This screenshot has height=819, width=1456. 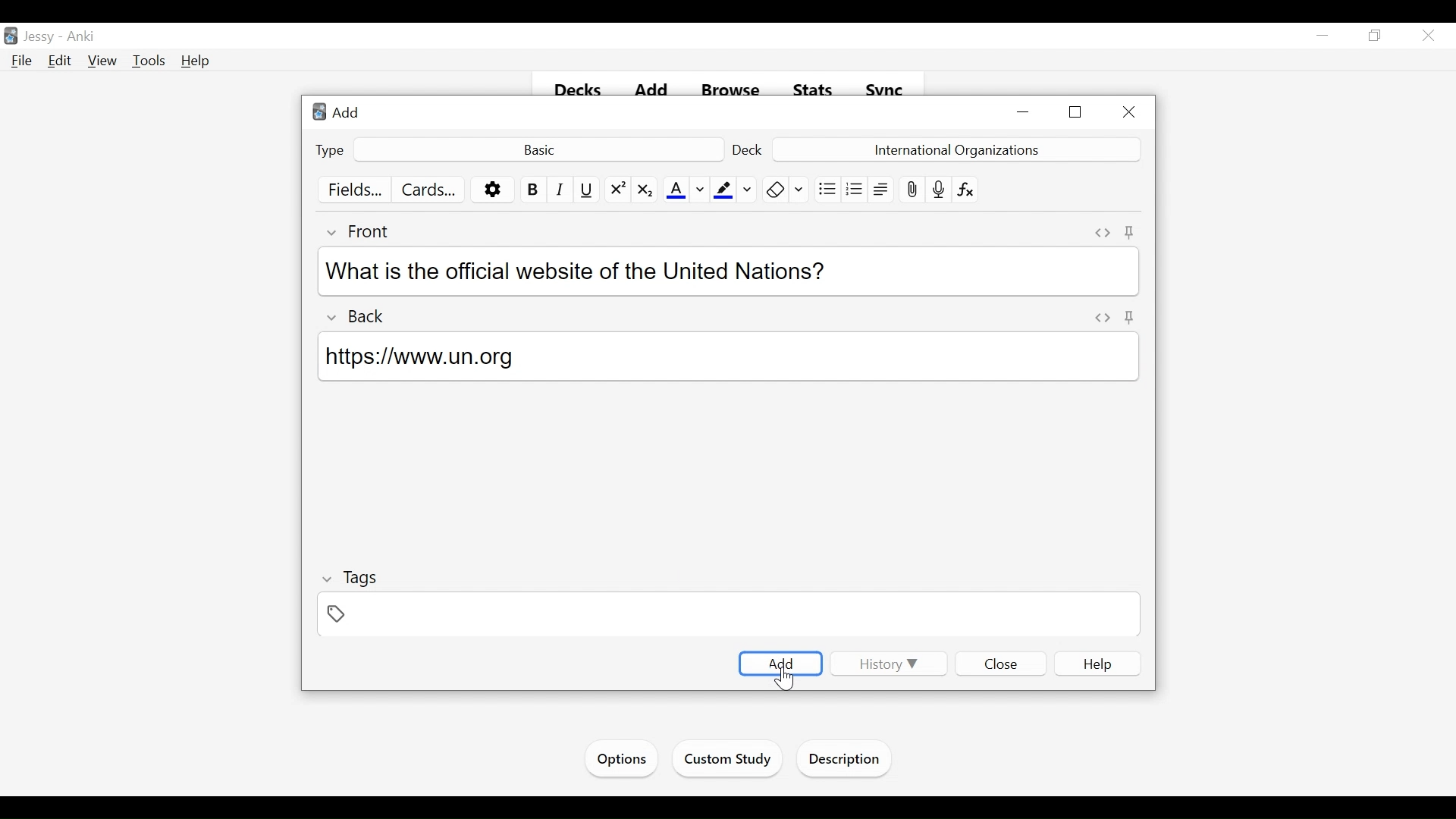 I want to click on Alignment, so click(x=880, y=188).